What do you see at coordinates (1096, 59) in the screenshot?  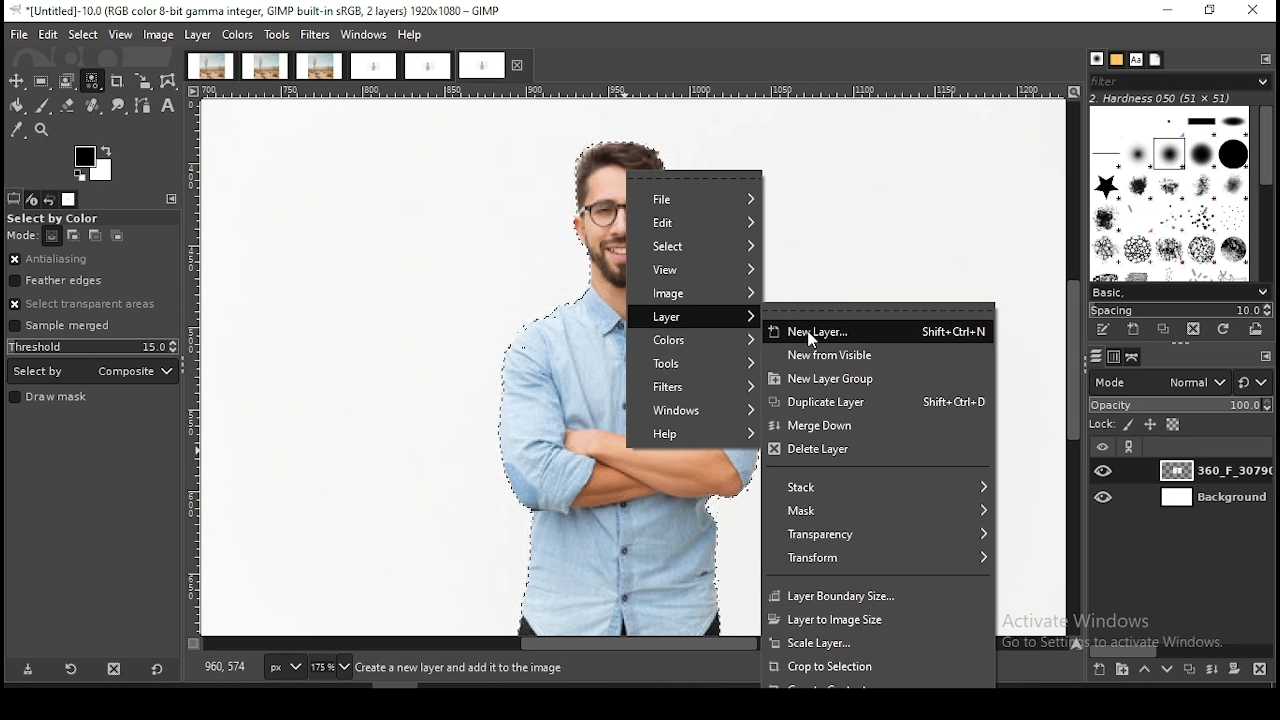 I see `brushes` at bounding box center [1096, 59].